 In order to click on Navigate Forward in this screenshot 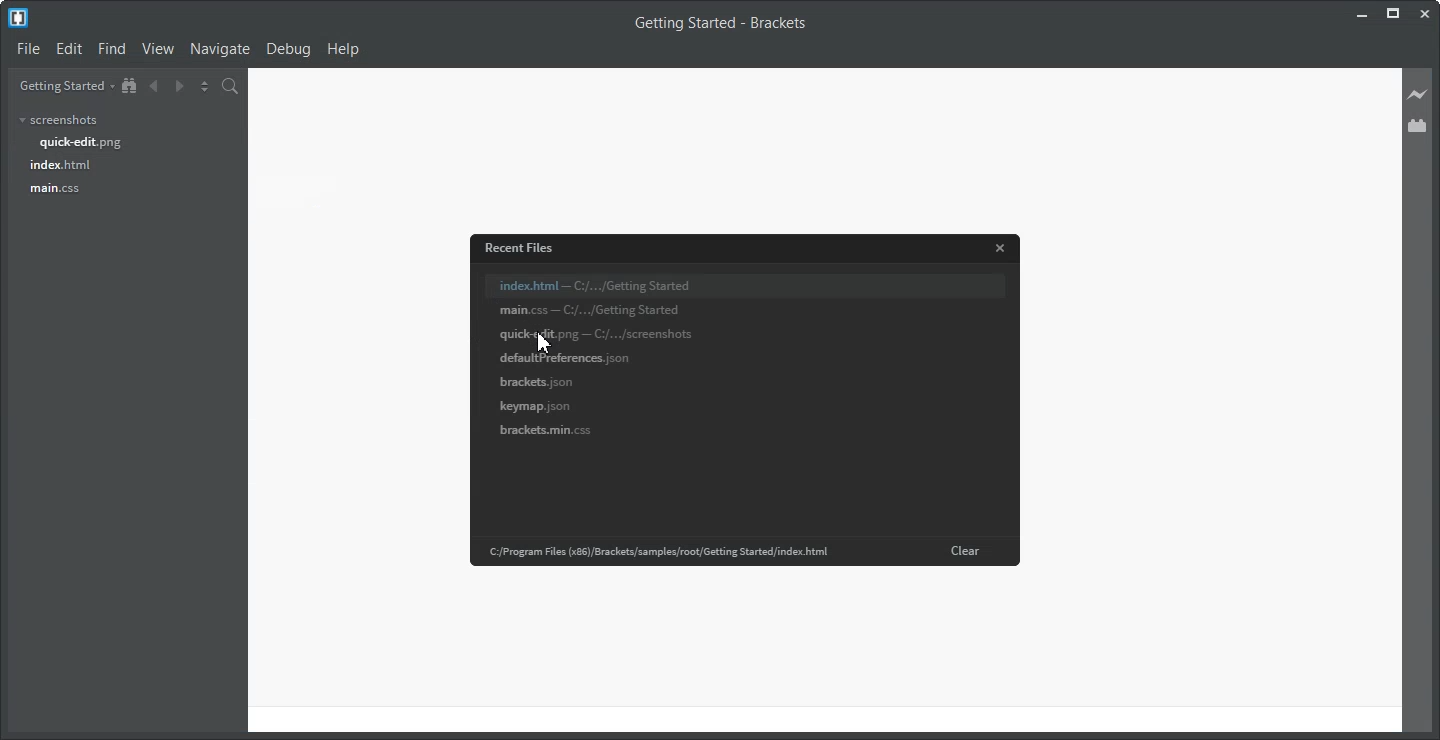, I will do `click(179, 86)`.